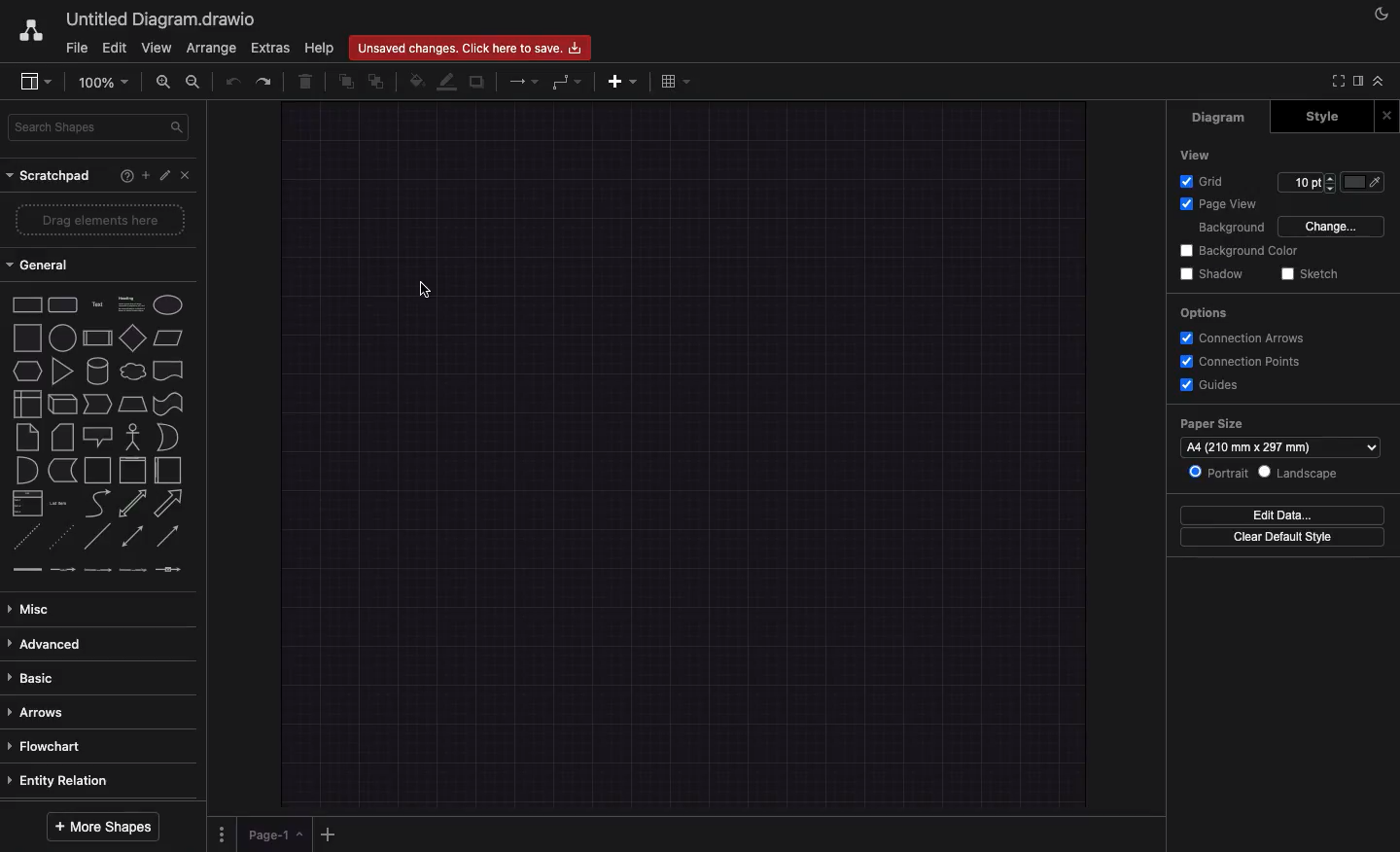 The width and height of the screenshot is (1400, 852). Describe the element at coordinates (25, 437) in the screenshot. I see `note` at that location.